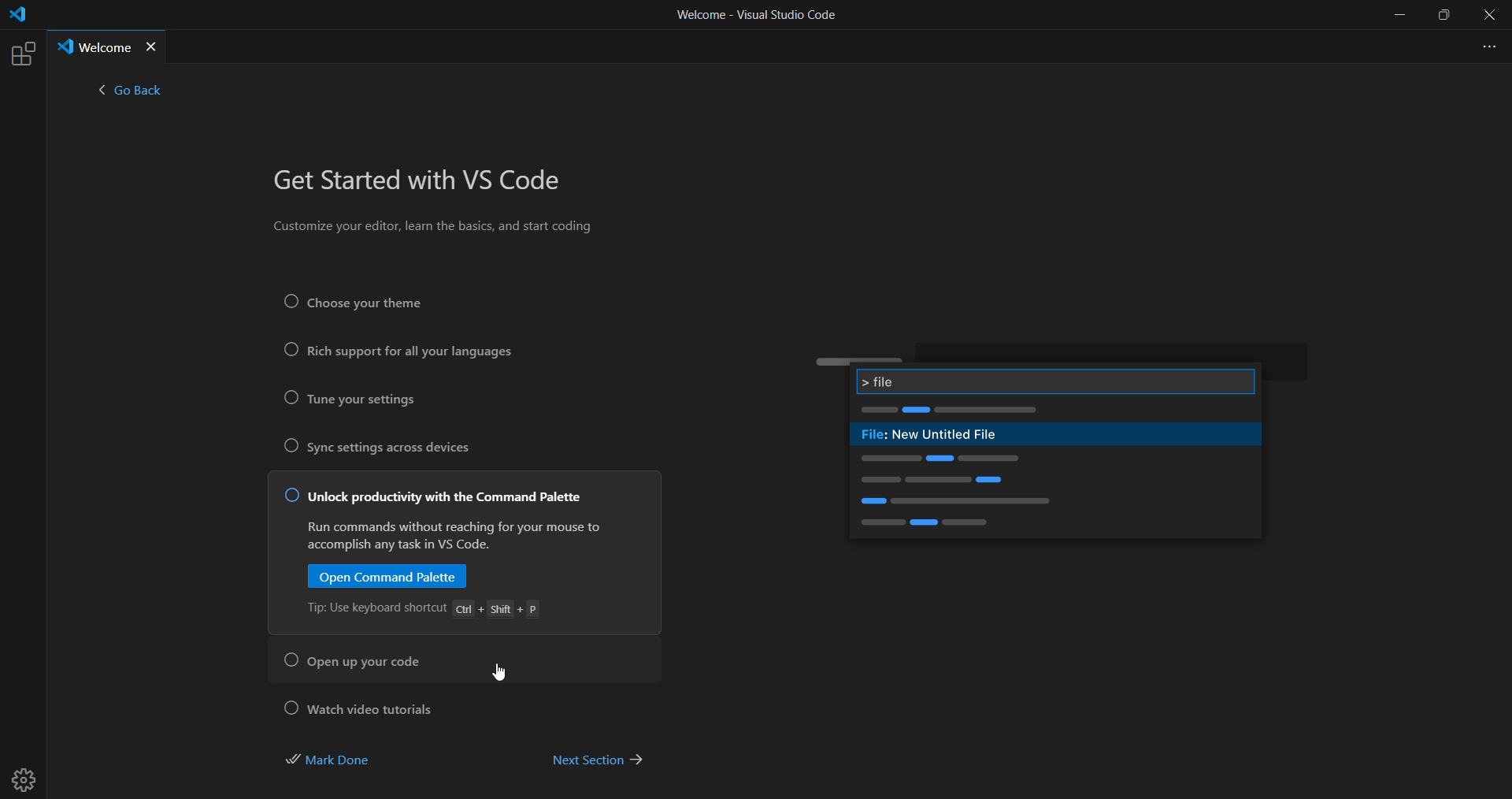 Image resolution: width=1512 pixels, height=799 pixels. I want to click on maximize, so click(1446, 16).